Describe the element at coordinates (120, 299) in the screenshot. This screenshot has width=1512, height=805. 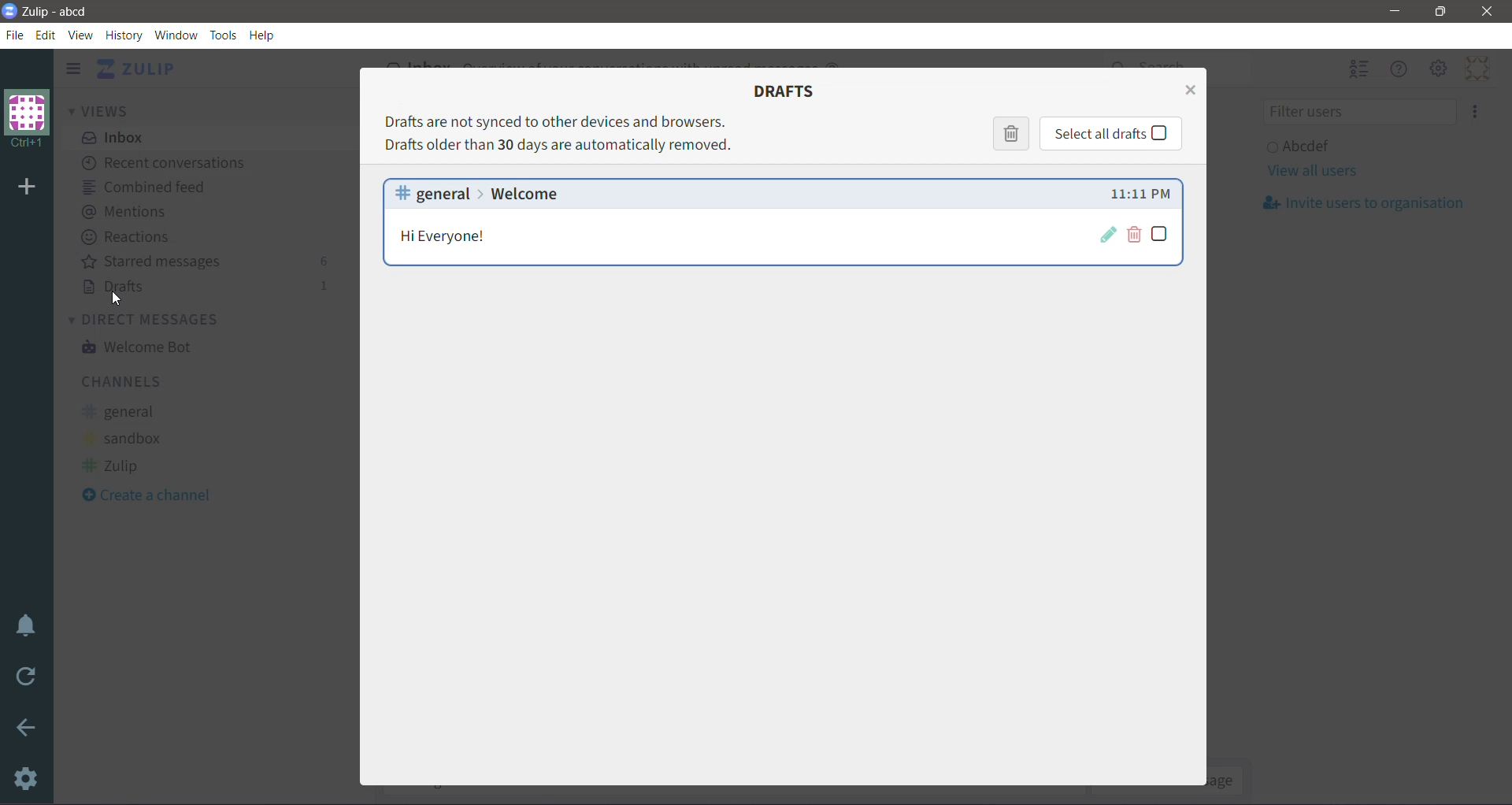
I see `cursor` at that location.